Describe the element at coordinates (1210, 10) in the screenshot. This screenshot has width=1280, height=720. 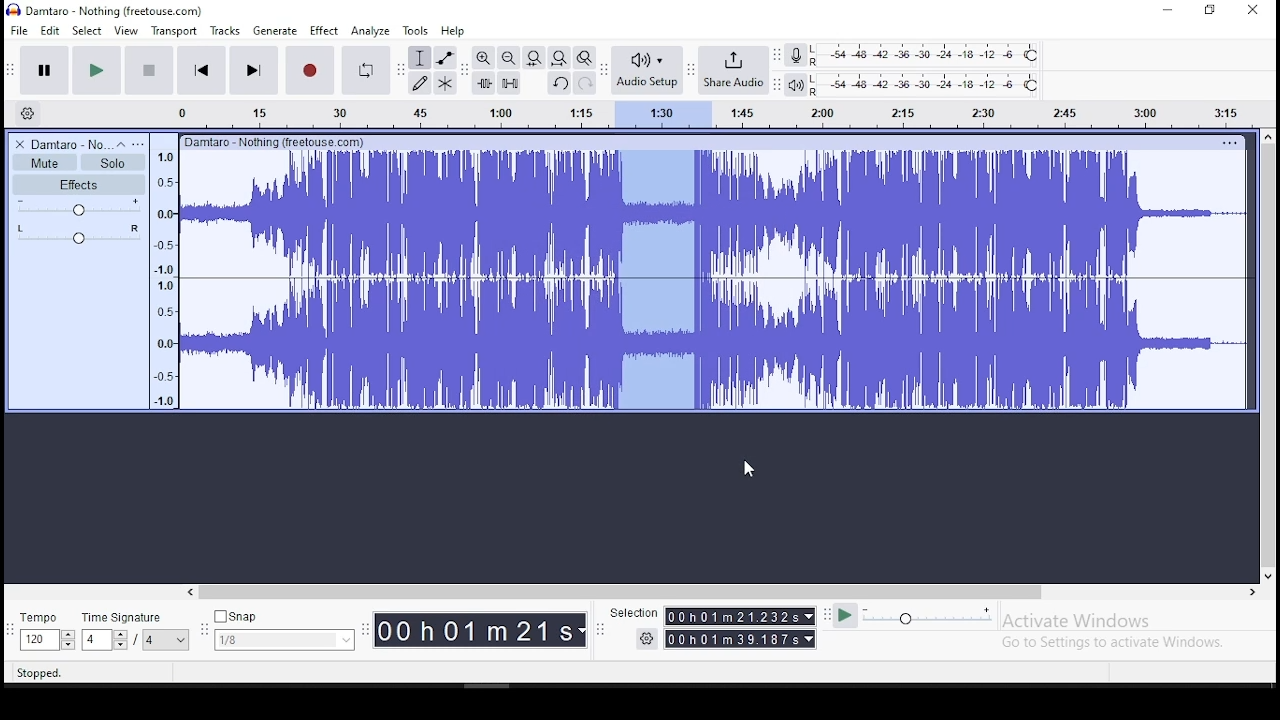
I see `Maximize` at that location.